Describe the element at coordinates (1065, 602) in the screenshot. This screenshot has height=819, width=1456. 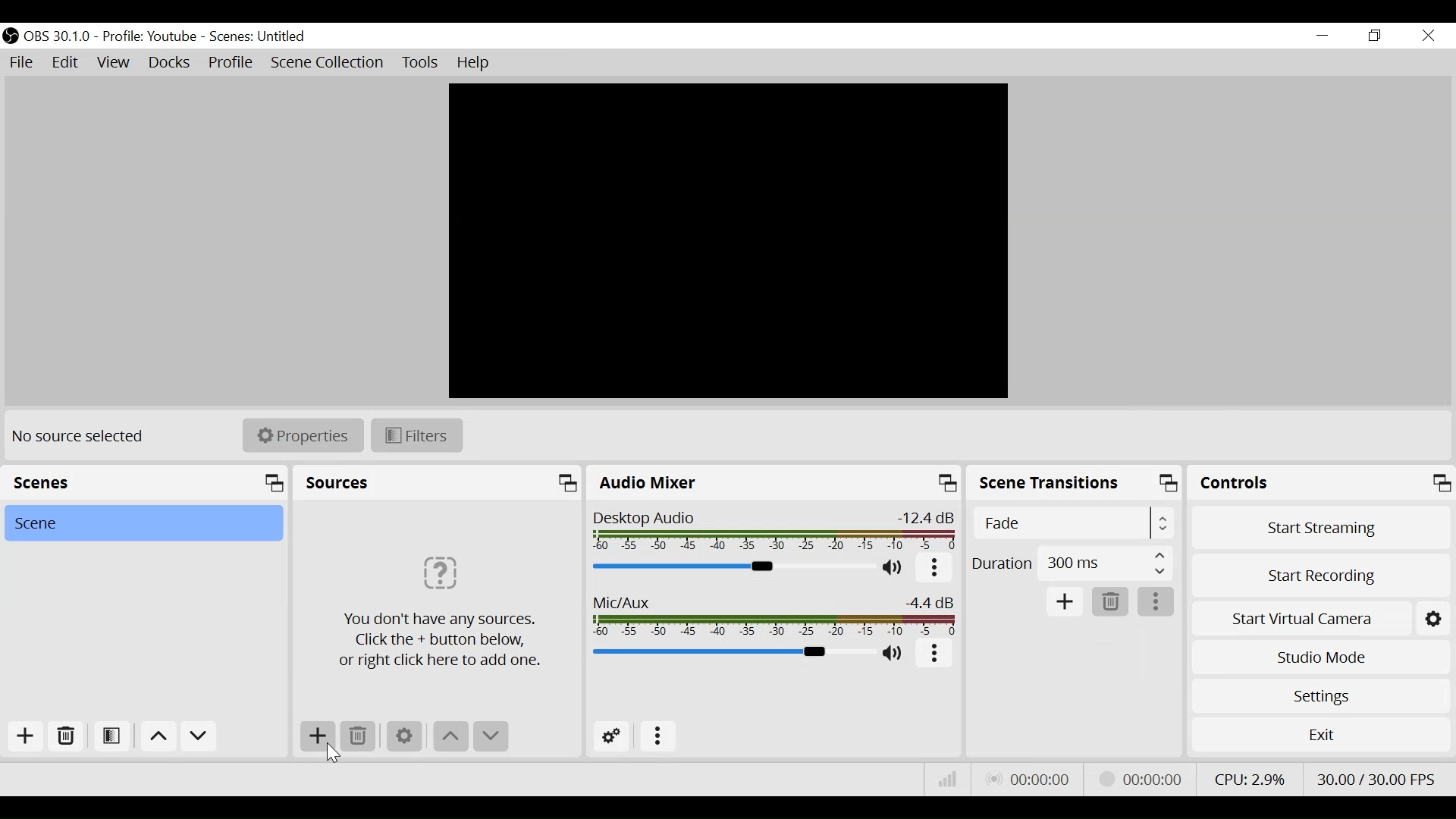
I see `Add` at that location.